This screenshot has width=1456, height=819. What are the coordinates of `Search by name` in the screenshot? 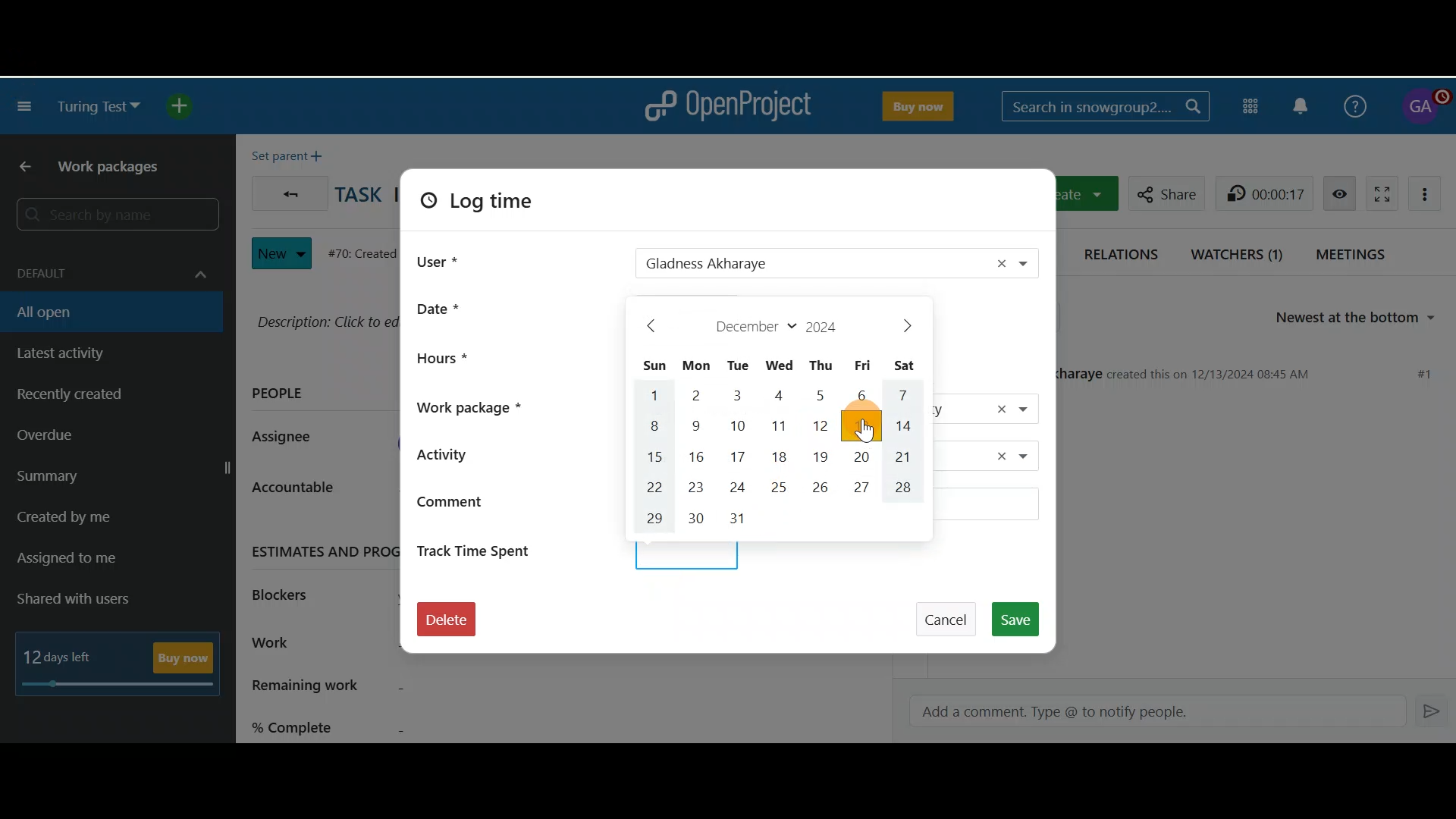 It's located at (114, 215).